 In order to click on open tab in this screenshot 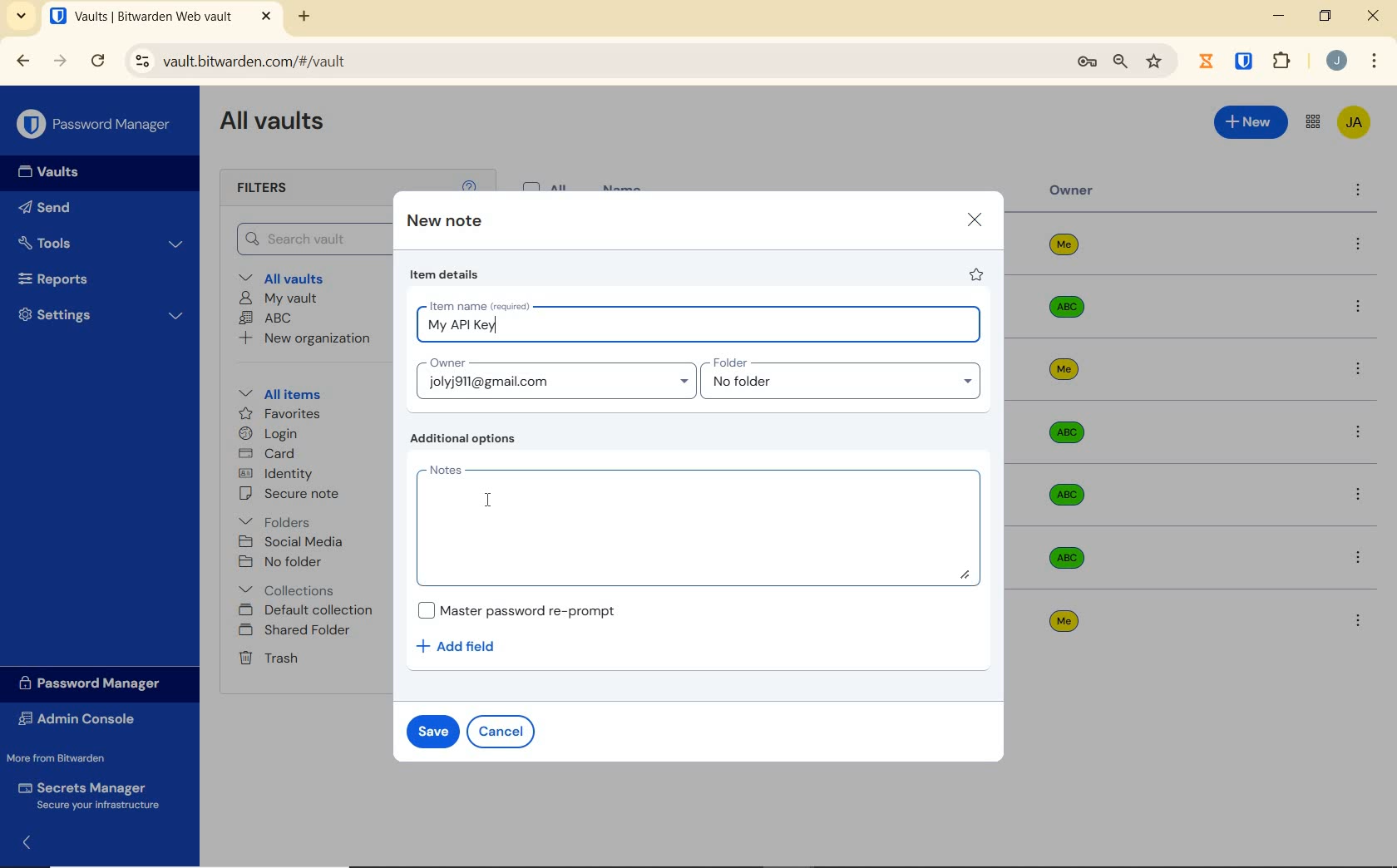, I will do `click(141, 17)`.